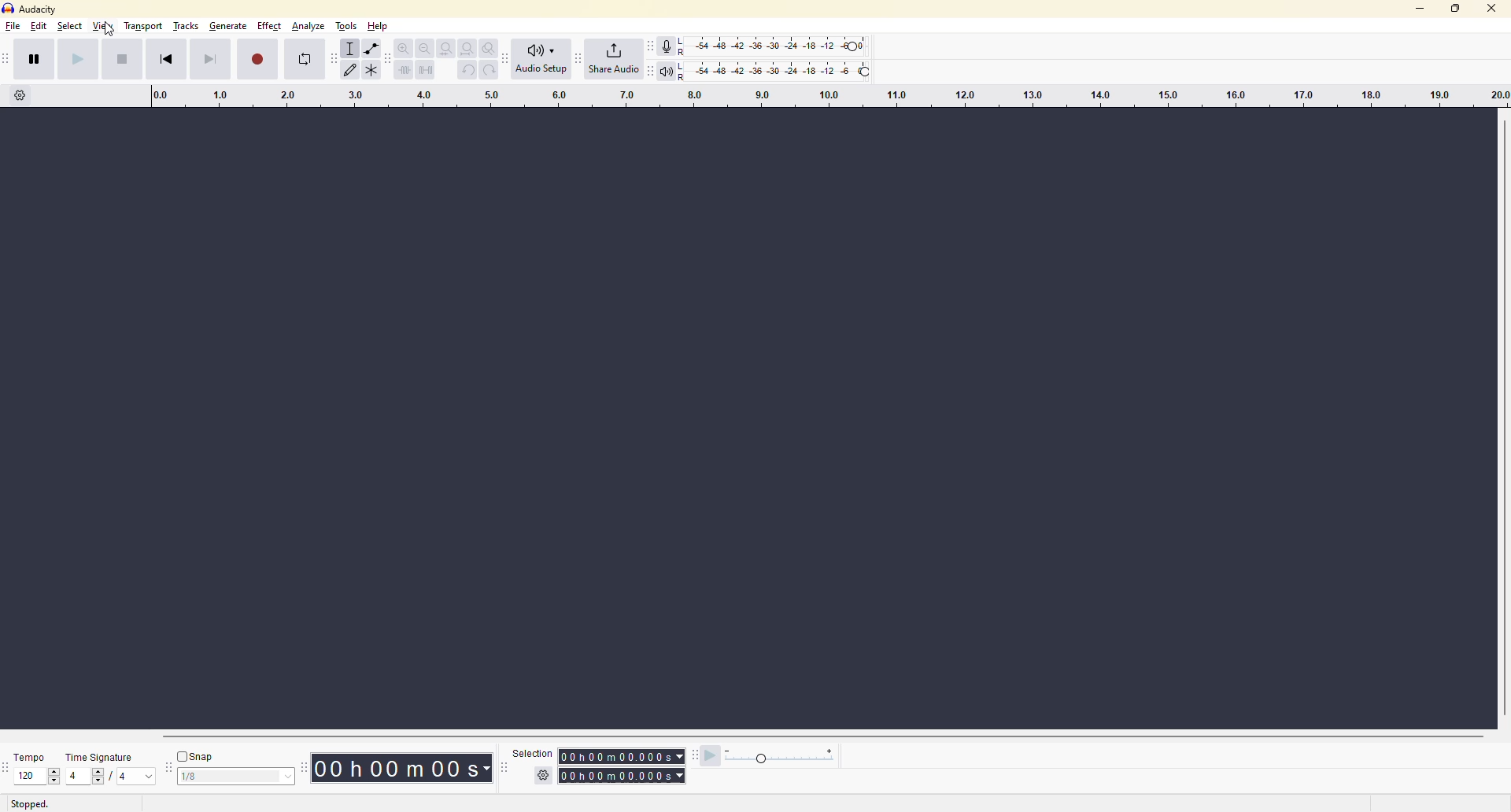 This screenshot has height=812, width=1511. What do you see at coordinates (405, 72) in the screenshot?
I see `trim audio outside selection` at bounding box center [405, 72].